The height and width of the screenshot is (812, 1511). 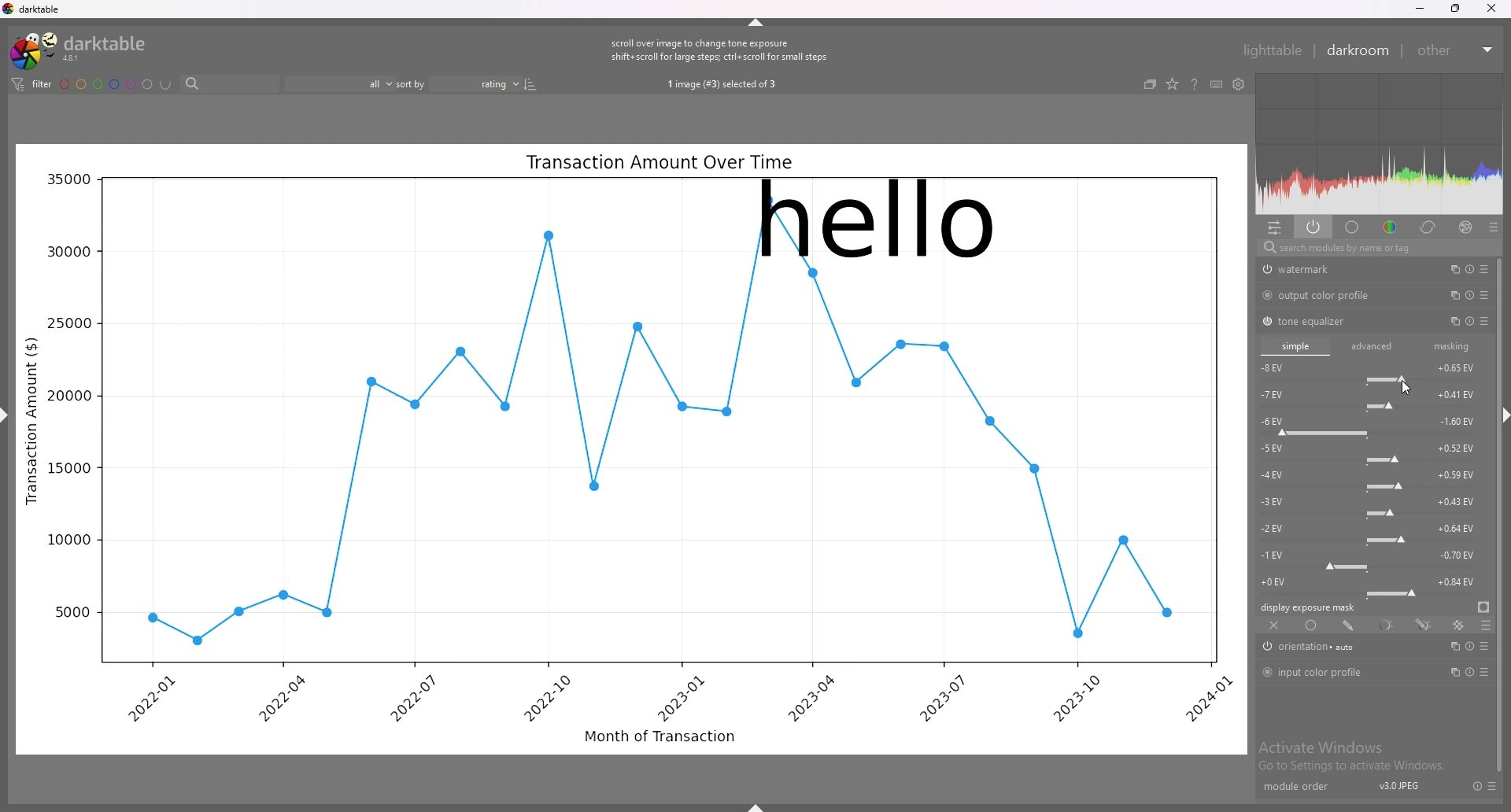 What do you see at coordinates (1493, 227) in the screenshot?
I see `presets` at bounding box center [1493, 227].